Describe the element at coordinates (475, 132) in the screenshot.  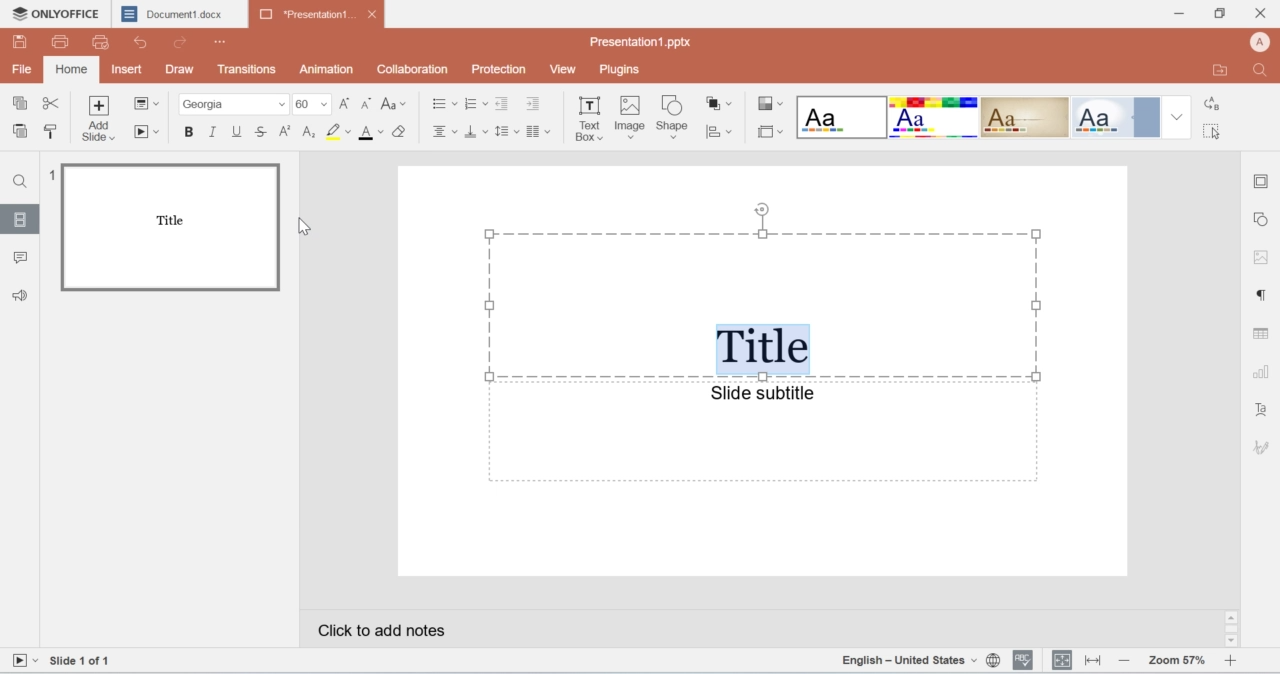
I see `align bottom` at that location.